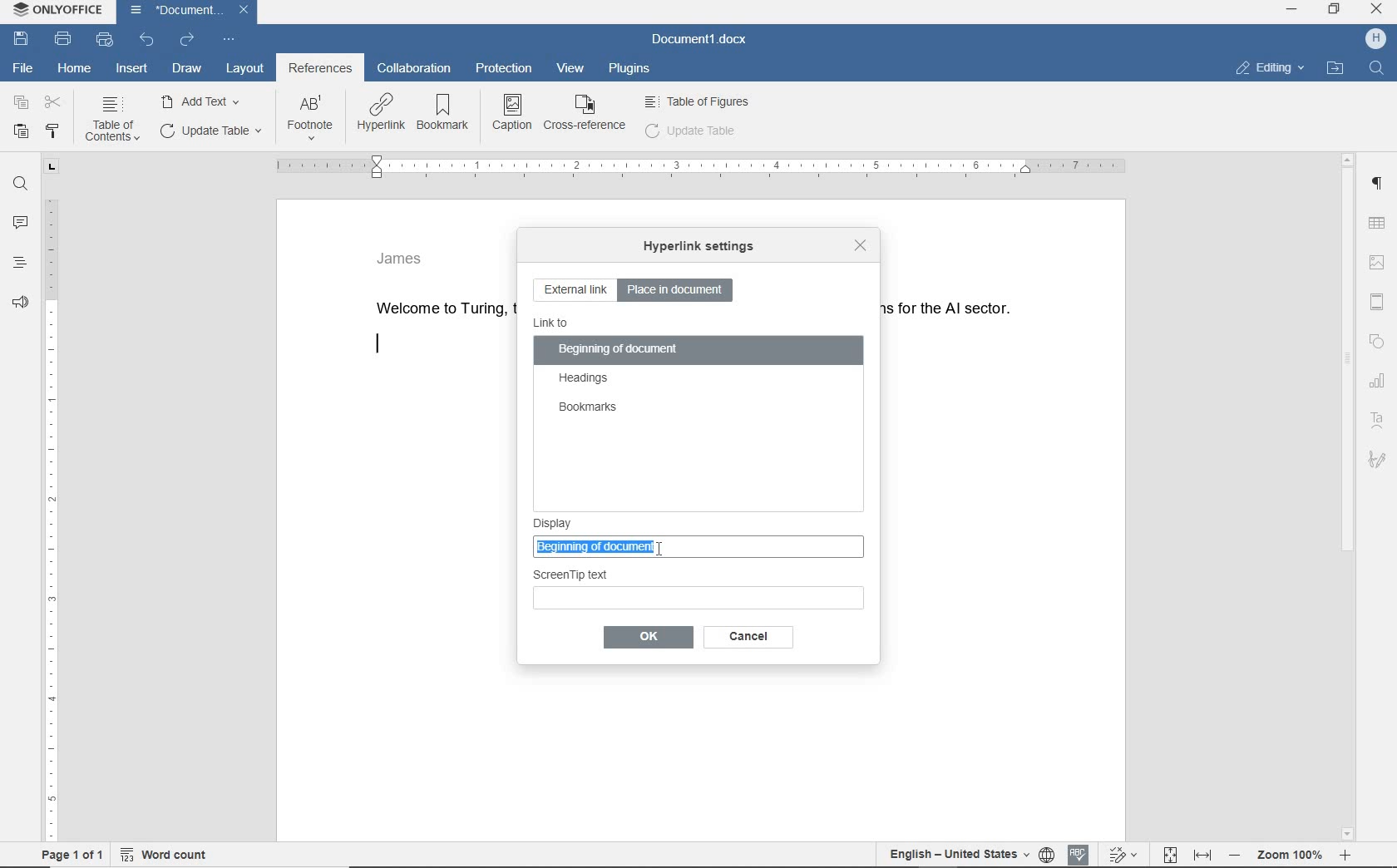 The width and height of the screenshot is (1397, 868). What do you see at coordinates (1277, 67) in the screenshot?
I see `Editing` at bounding box center [1277, 67].